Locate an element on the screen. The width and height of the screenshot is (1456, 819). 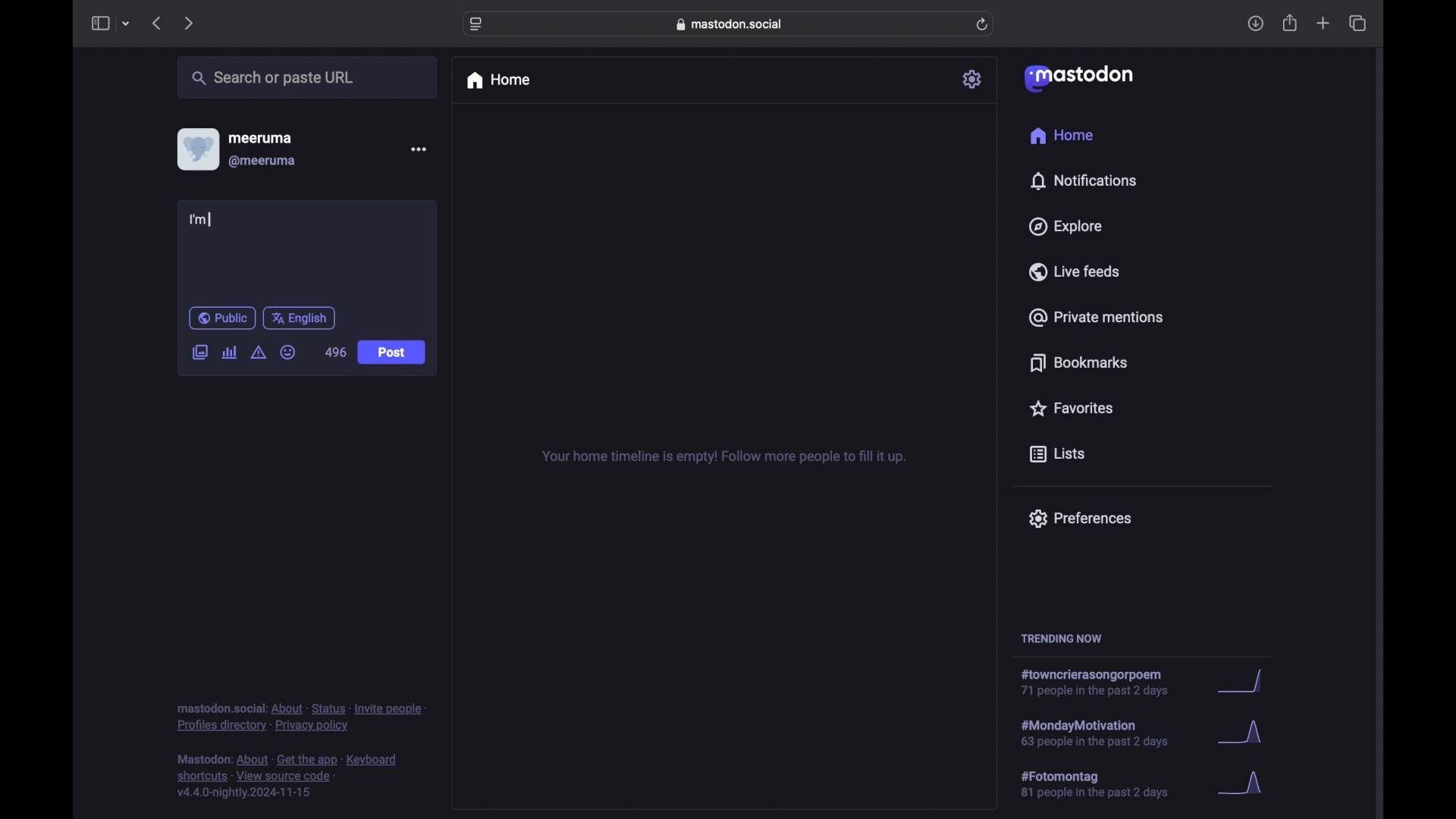
lists is located at coordinates (1057, 455).